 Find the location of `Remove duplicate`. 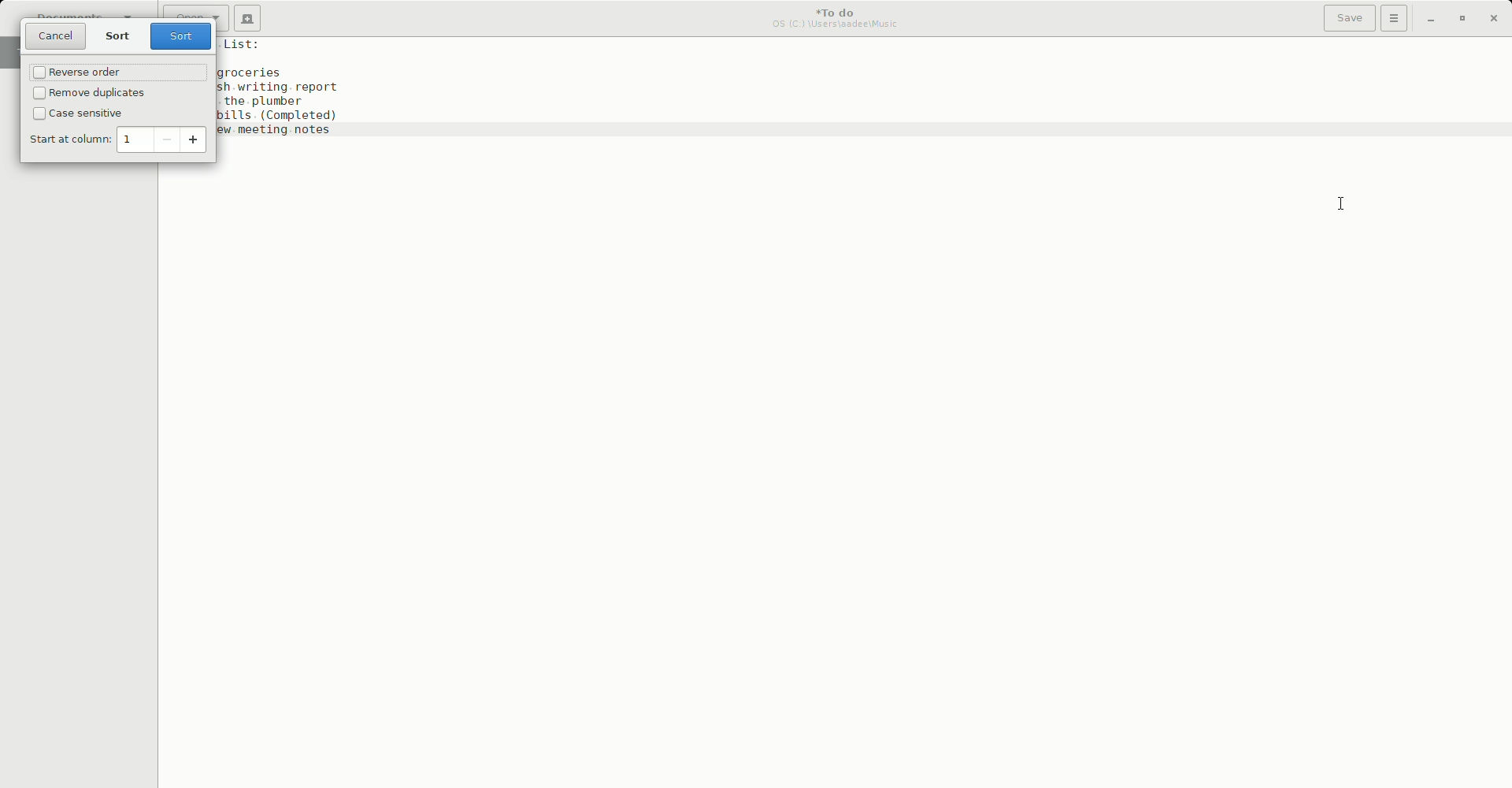

Remove duplicate is located at coordinates (98, 96).